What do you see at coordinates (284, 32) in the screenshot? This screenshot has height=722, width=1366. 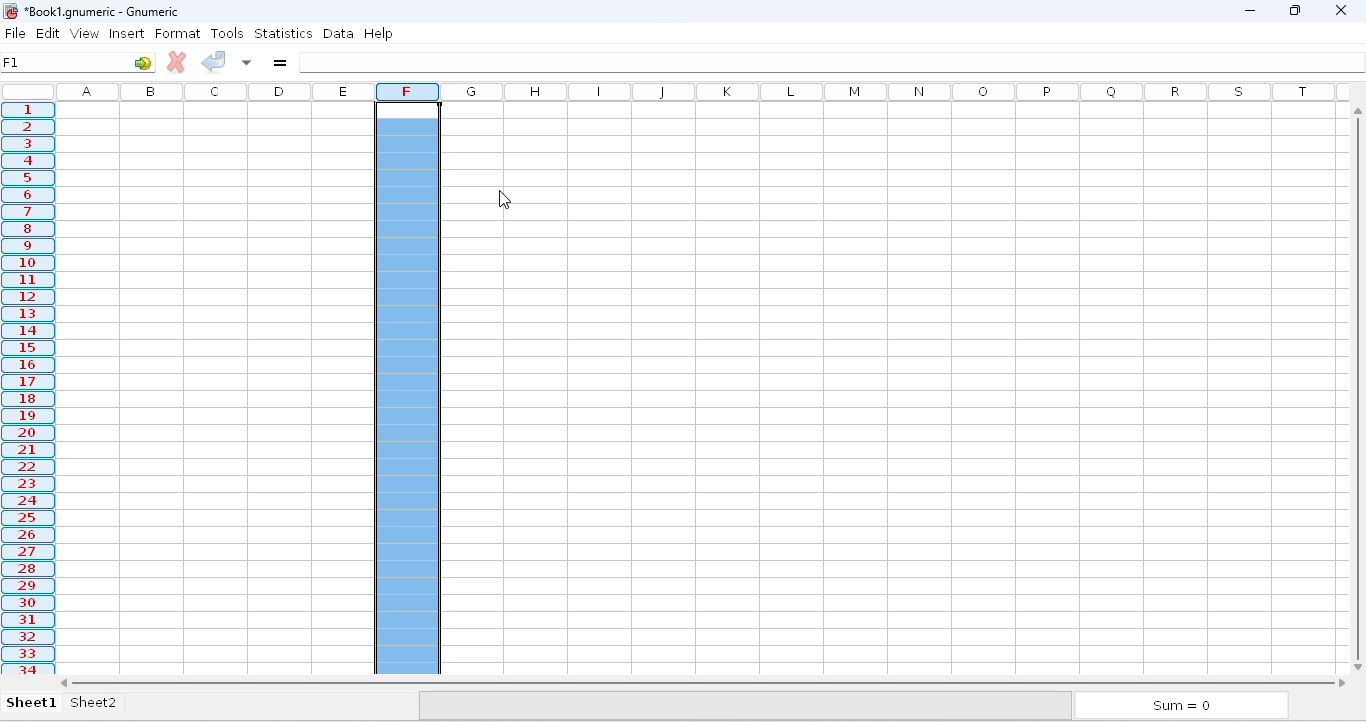 I see `statistics` at bounding box center [284, 32].